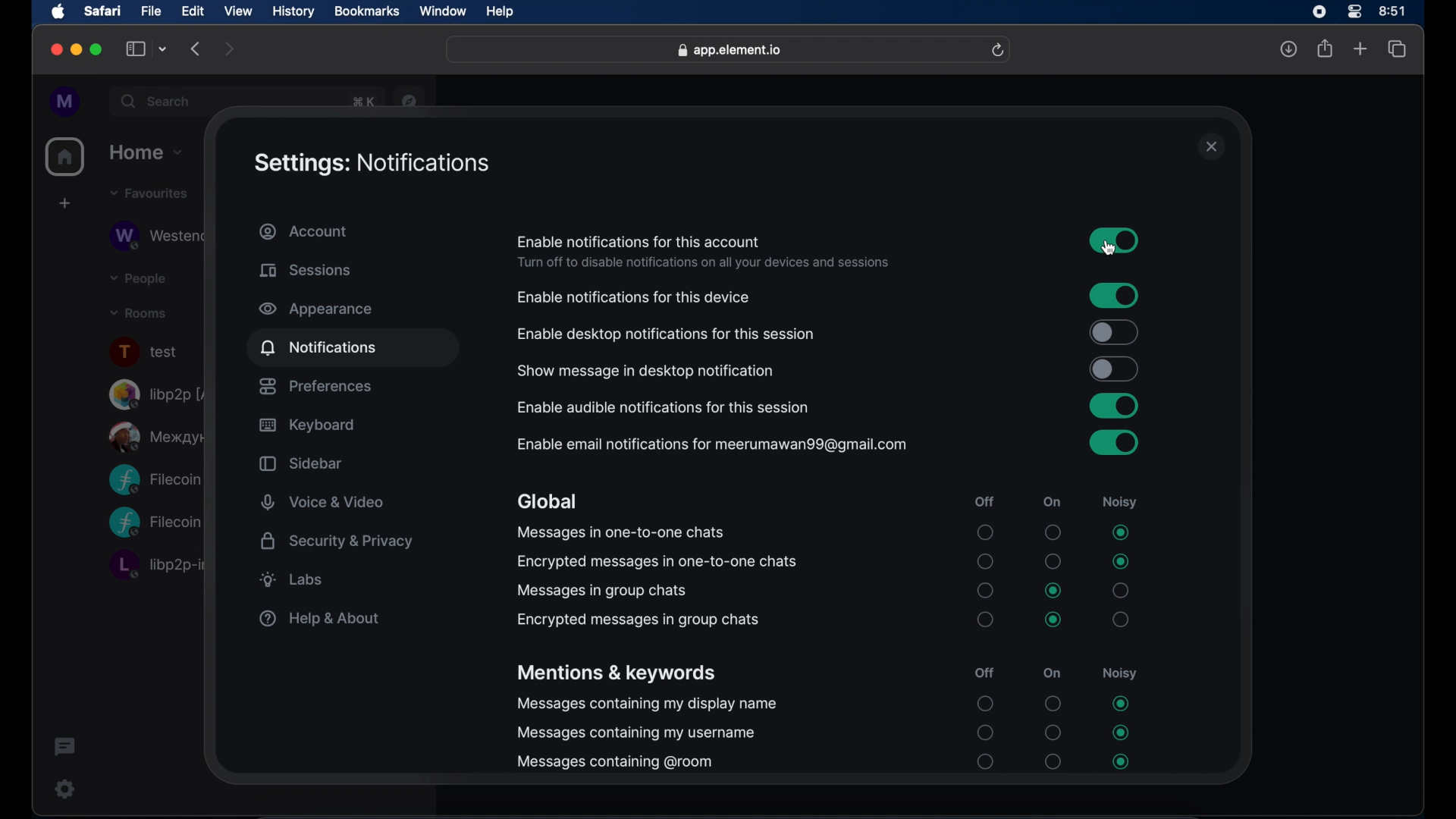 The height and width of the screenshot is (819, 1456). I want to click on radio button, so click(1121, 532).